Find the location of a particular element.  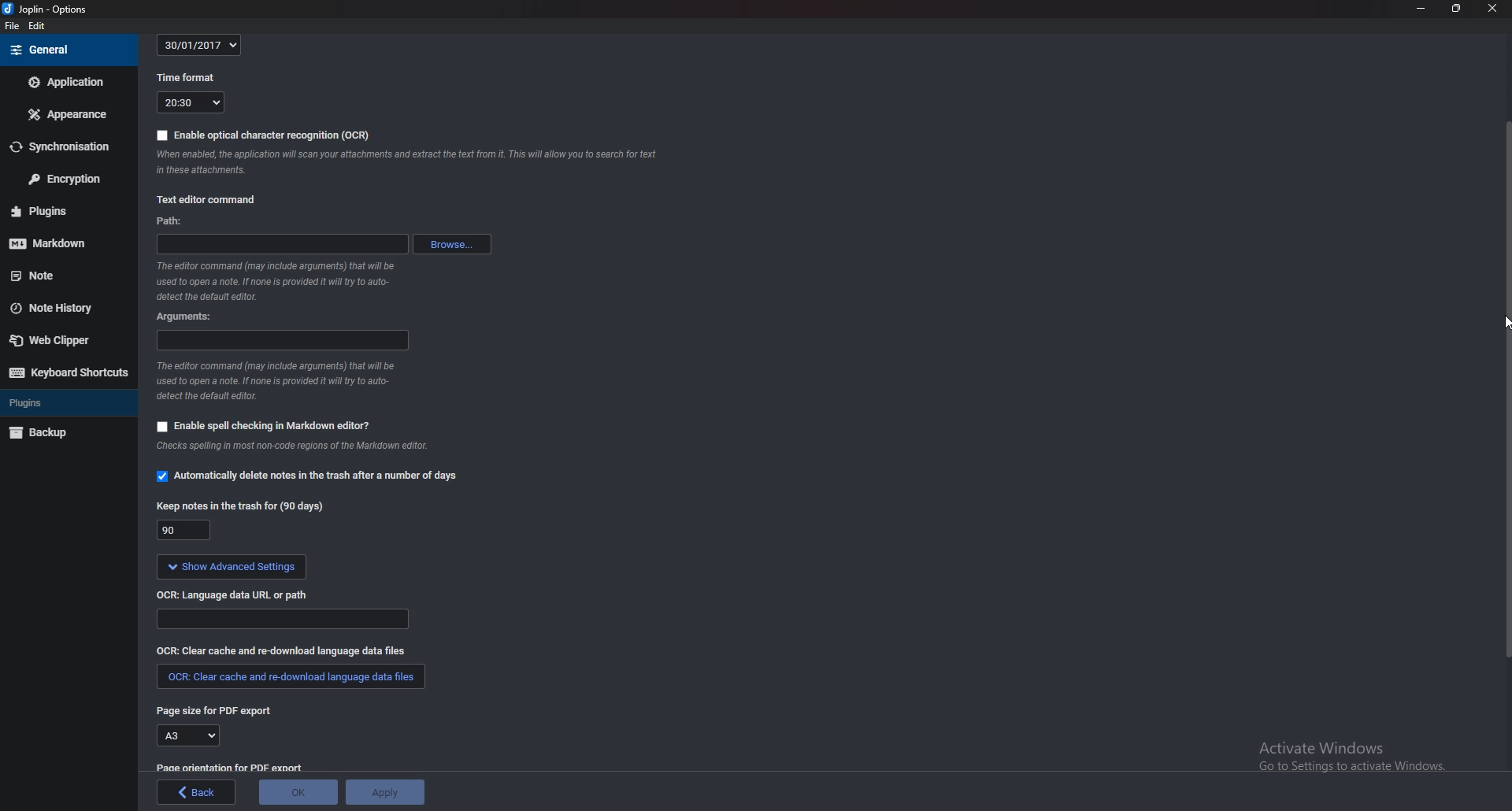

activate windows is located at coordinates (1354, 751).